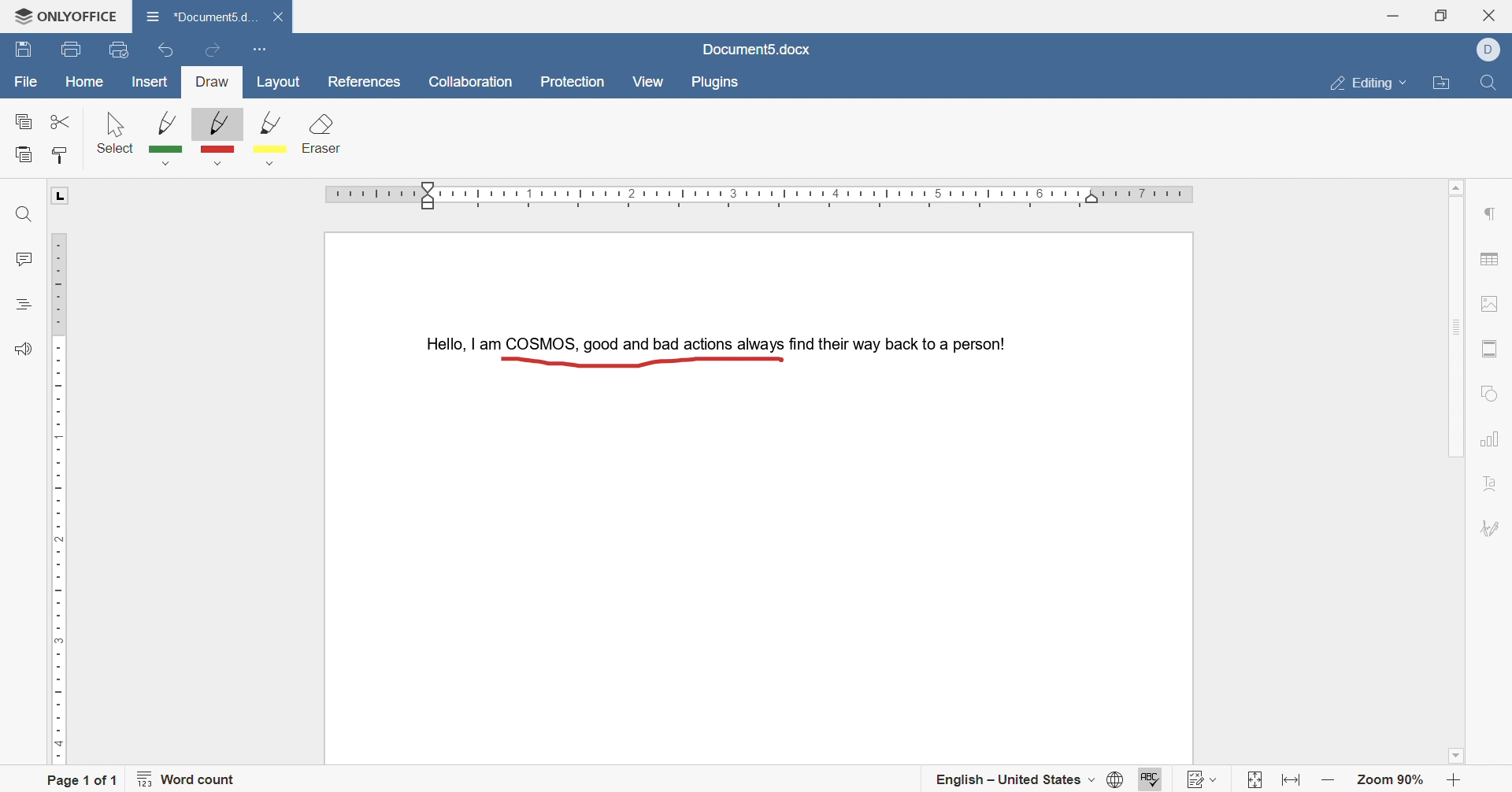  What do you see at coordinates (57, 120) in the screenshot?
I see `cut` at bounding box center [57, 120].